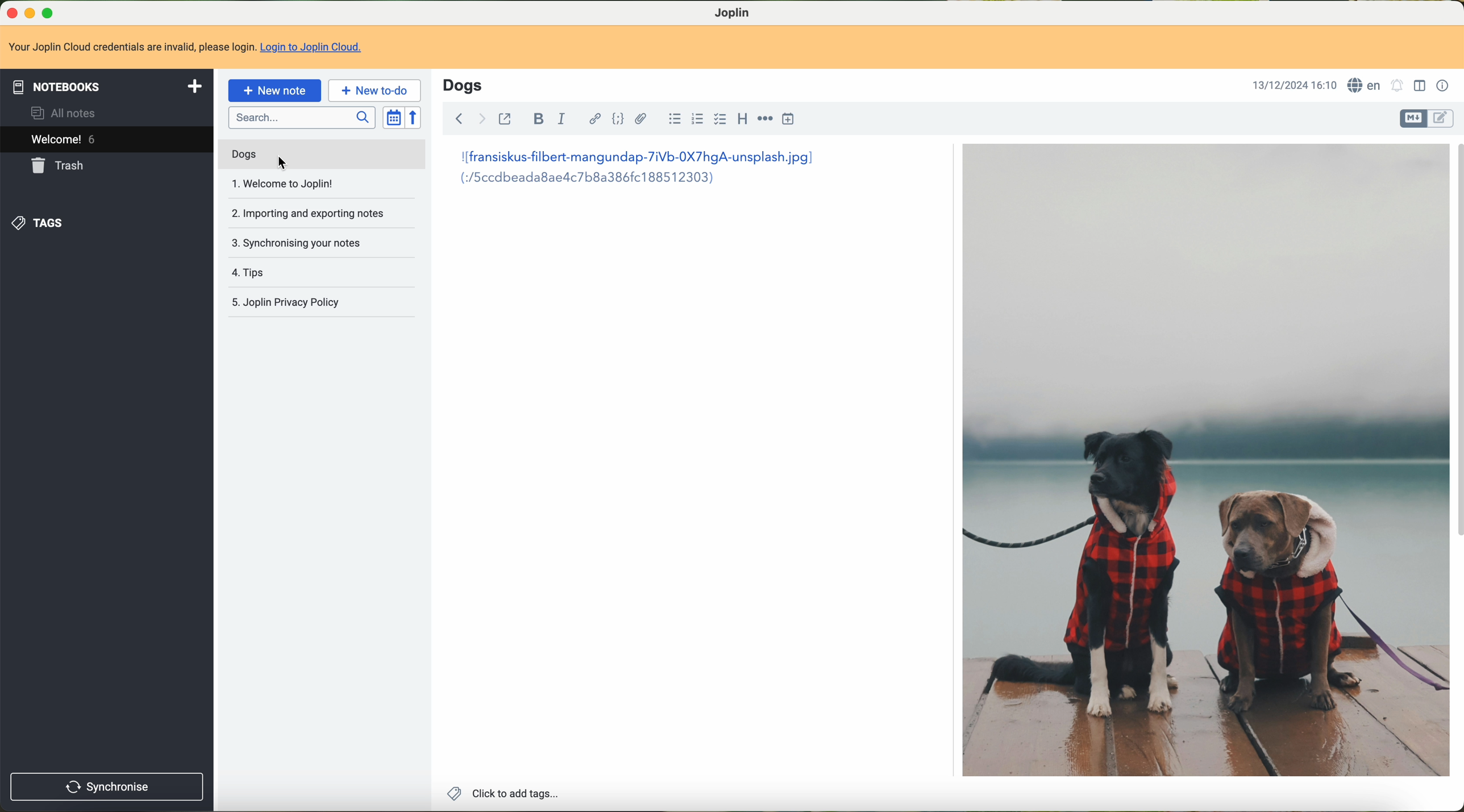 The height and width of the screenshot is (812, 1464). I want to click on bulleted list, so click(672, 121).